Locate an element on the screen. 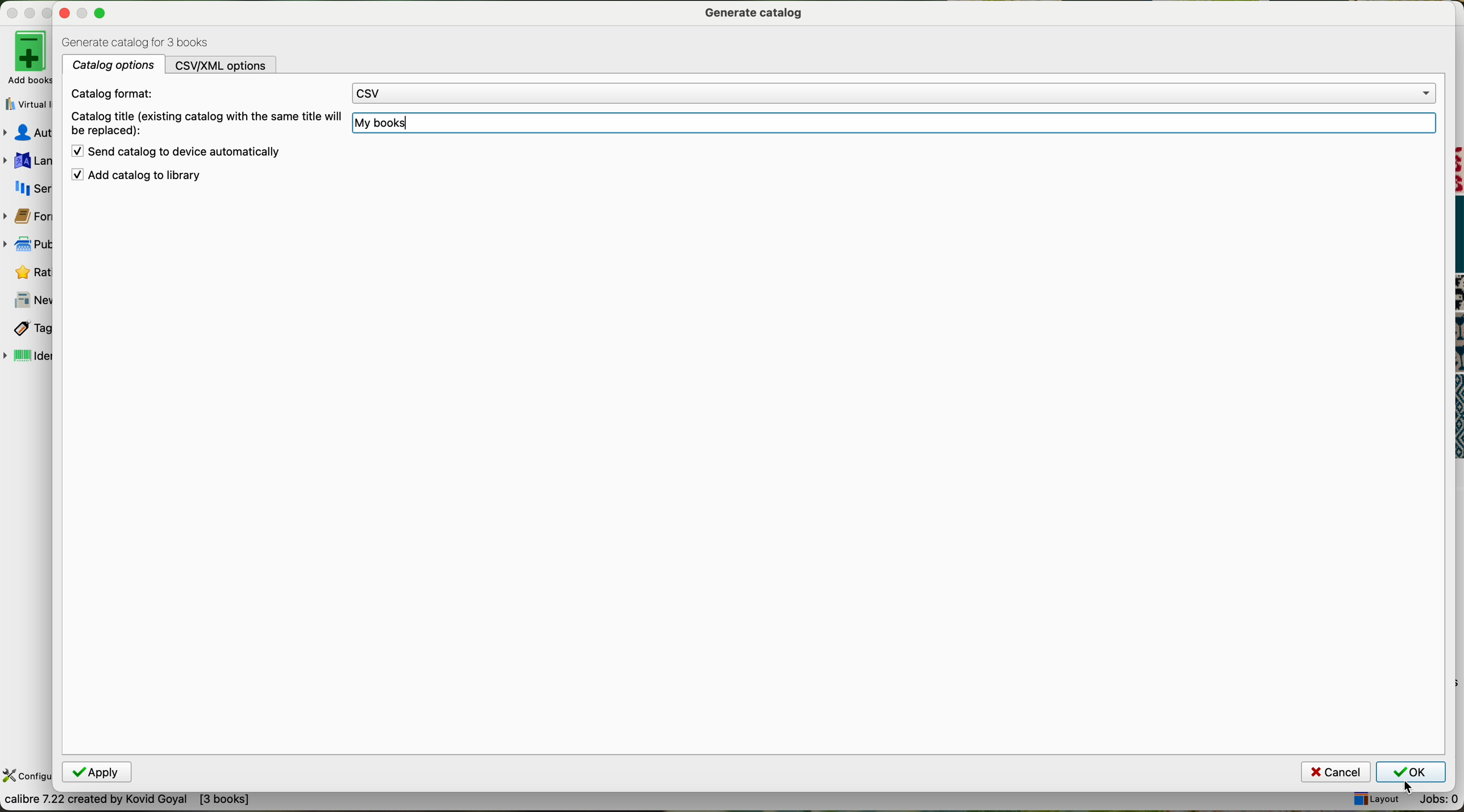  catalog title (existing catalog with the same will be replaced) is located at coordinates (204, 122).